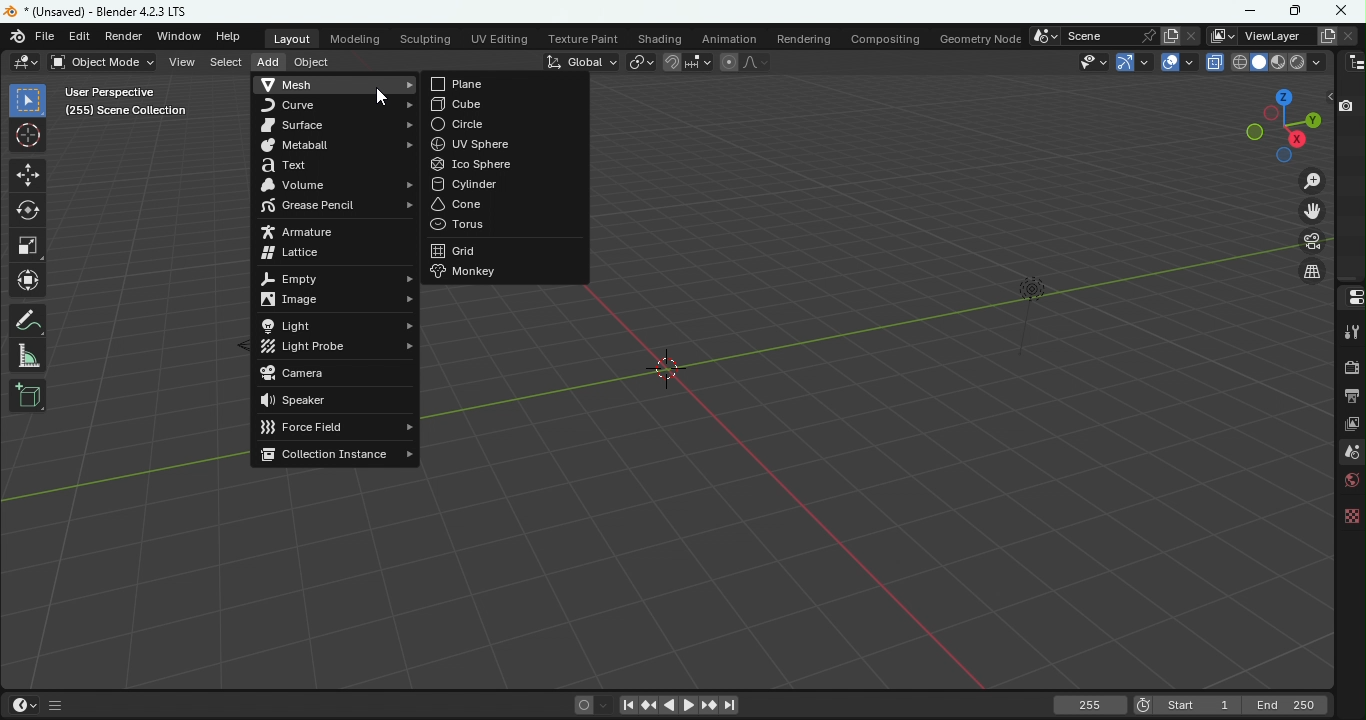 This screenshot has width=1366, height=720. I want to click on Workspace, so click(914, 376).